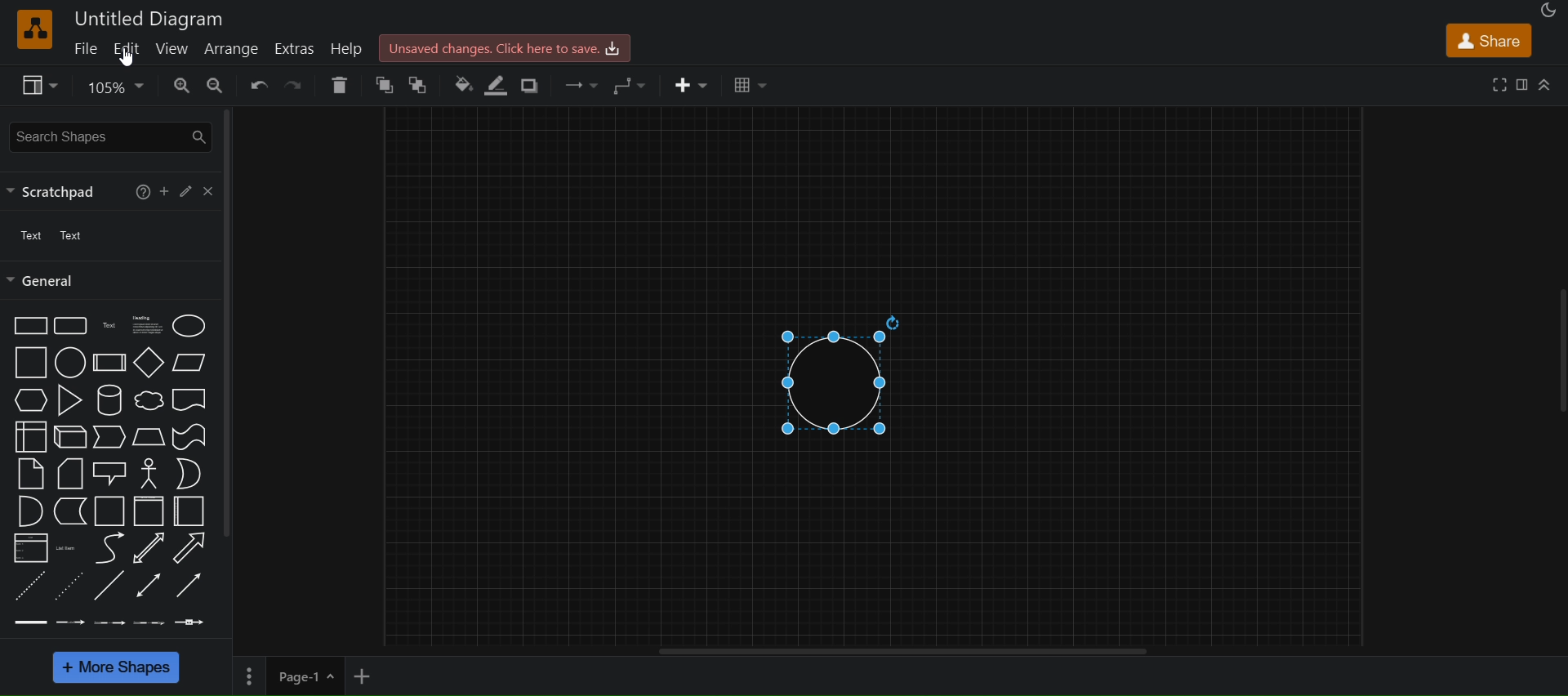  Describe the element at coordinates (85, 47) in the screenshot. I see `file` at that location.